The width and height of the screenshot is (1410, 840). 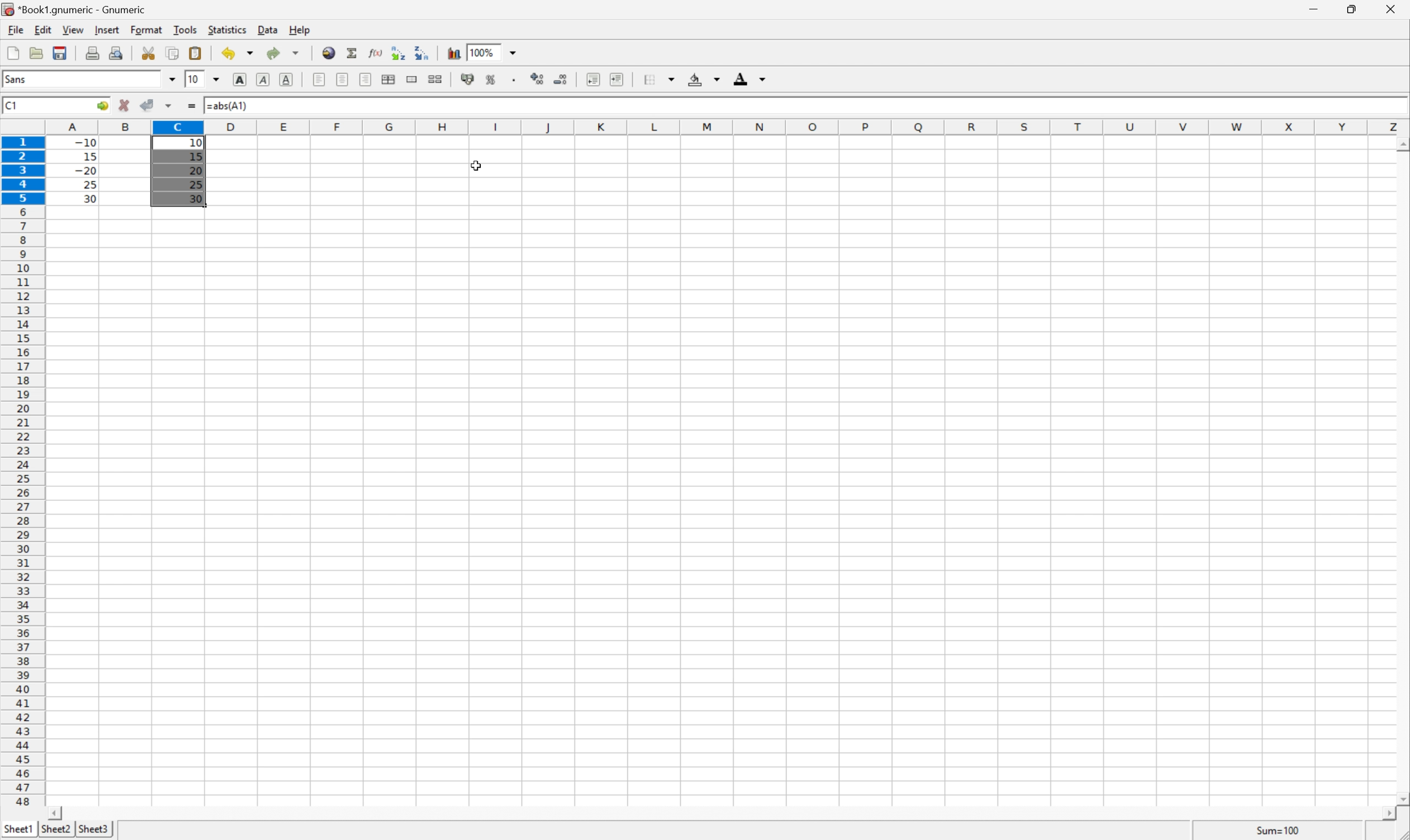 I want to click on 25, so click(x=196, y=187).